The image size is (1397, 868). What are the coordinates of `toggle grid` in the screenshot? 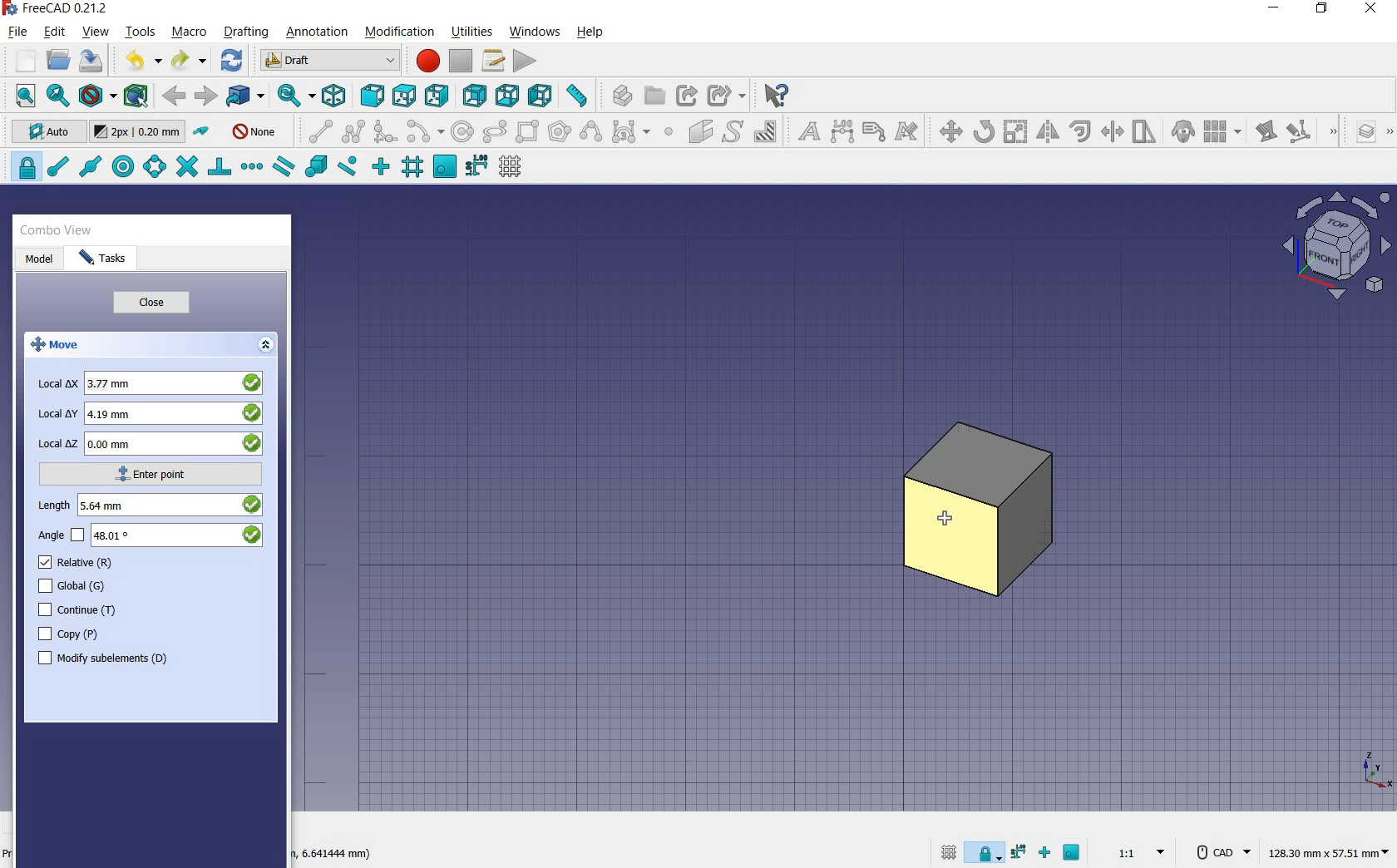 It's located at (949, 854).